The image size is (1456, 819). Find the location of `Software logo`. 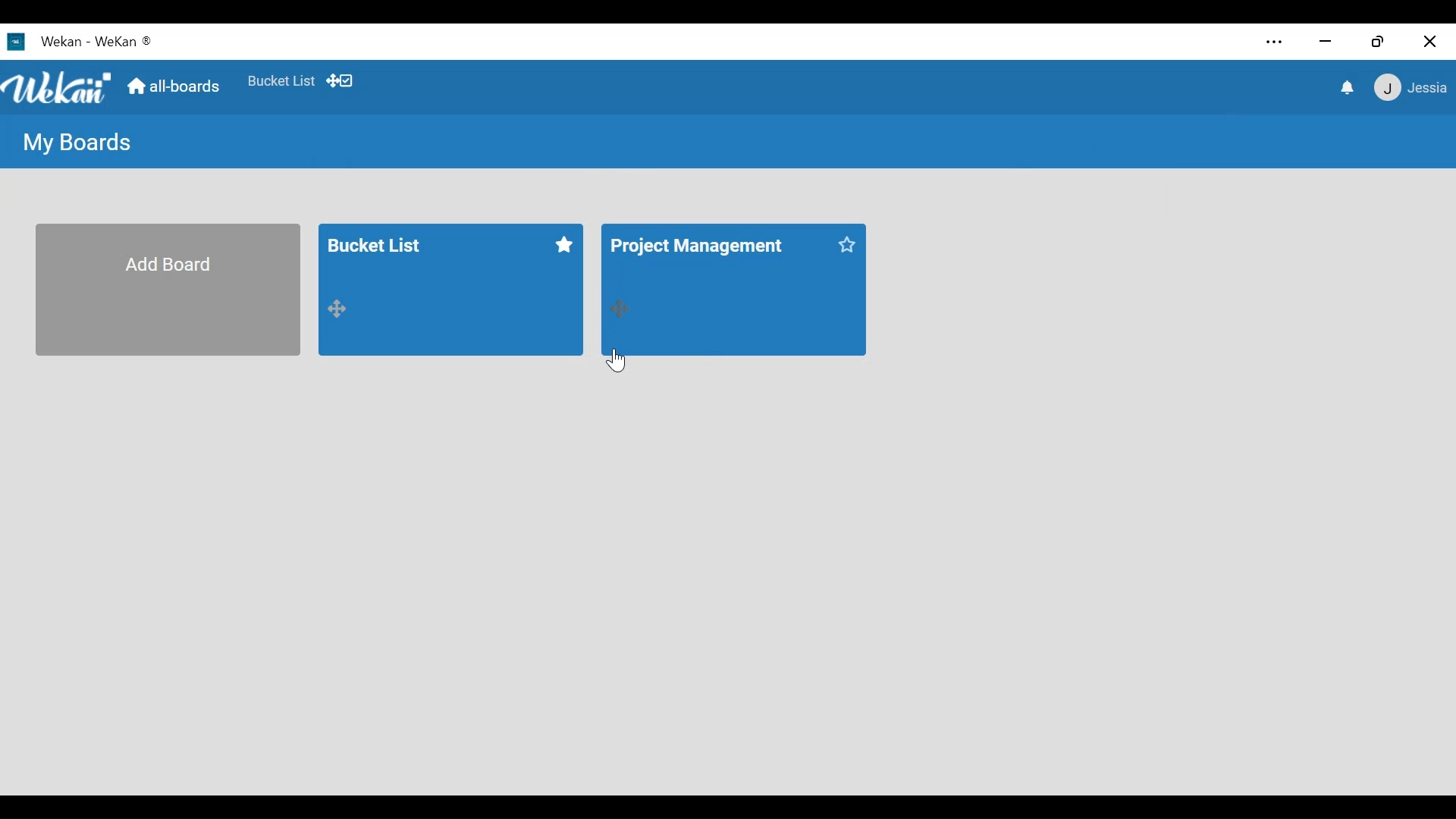

Software logo is located at coordinates (16, 42).